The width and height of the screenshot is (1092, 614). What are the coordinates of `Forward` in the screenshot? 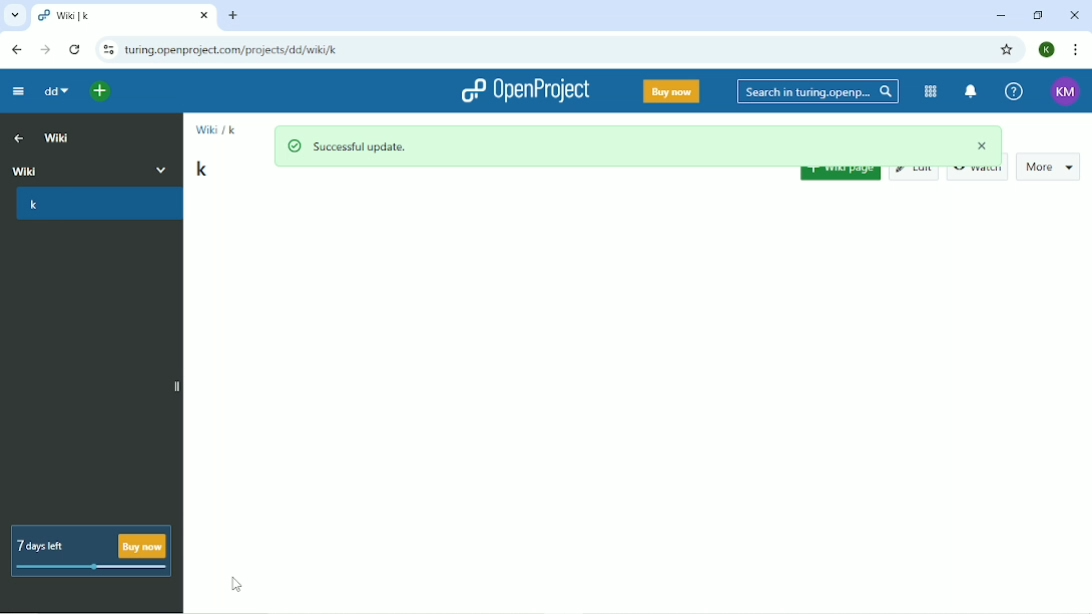 It's located at (46, 49).